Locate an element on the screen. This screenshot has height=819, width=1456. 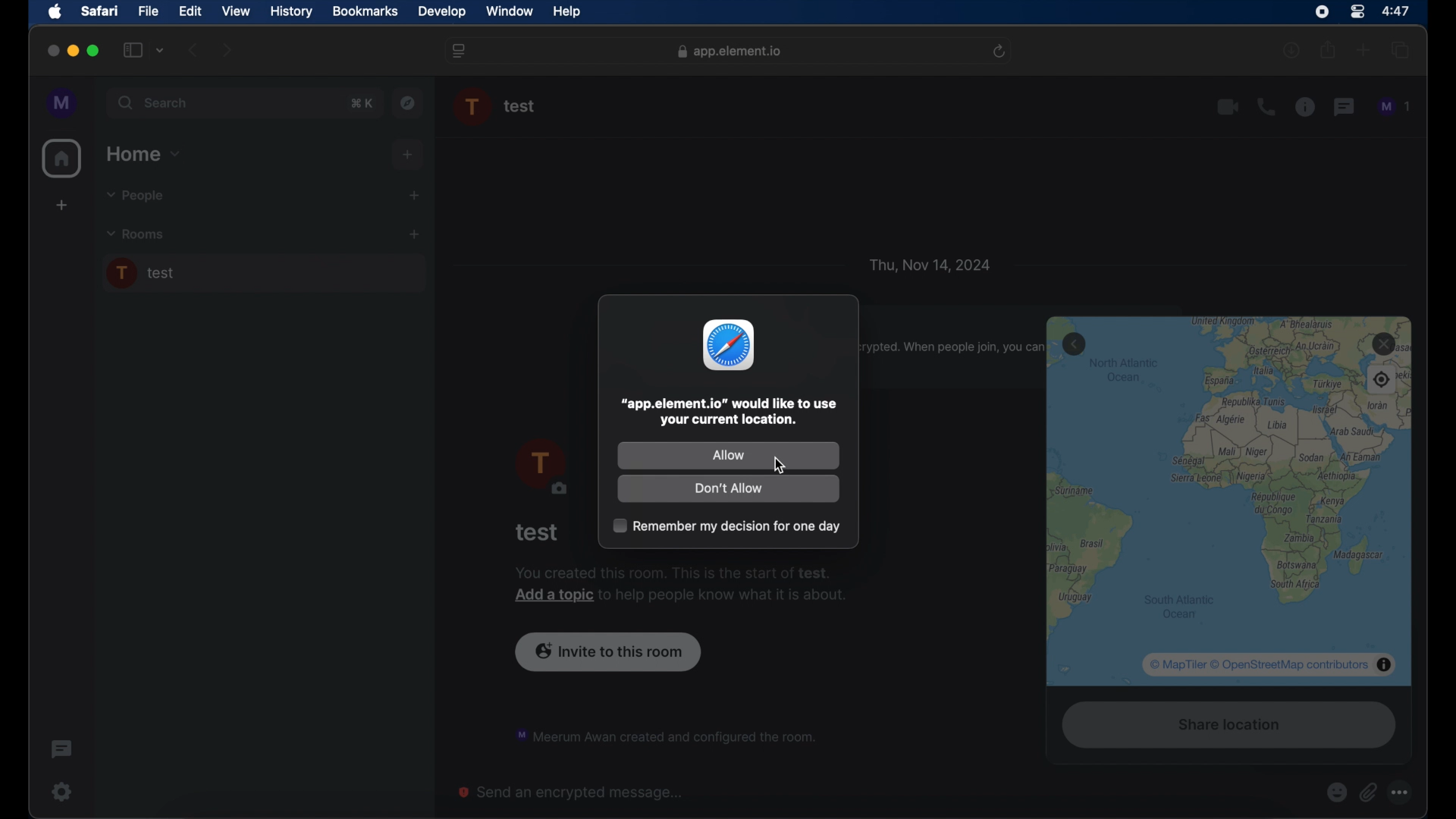
chat room is located at coordinates (263, 274).